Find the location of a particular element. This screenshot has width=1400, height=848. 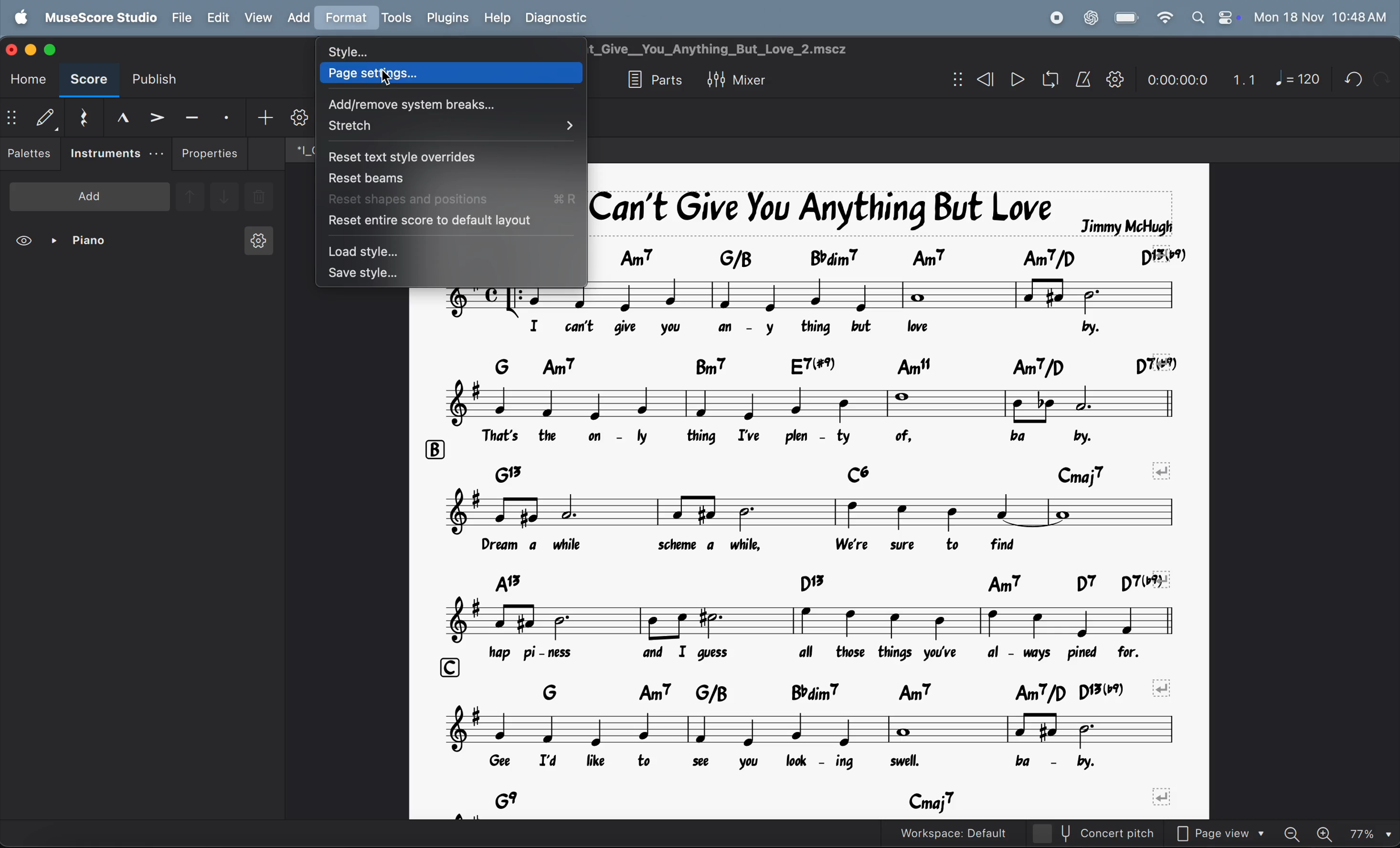

chord symbols is located at coordinates (837, 802).